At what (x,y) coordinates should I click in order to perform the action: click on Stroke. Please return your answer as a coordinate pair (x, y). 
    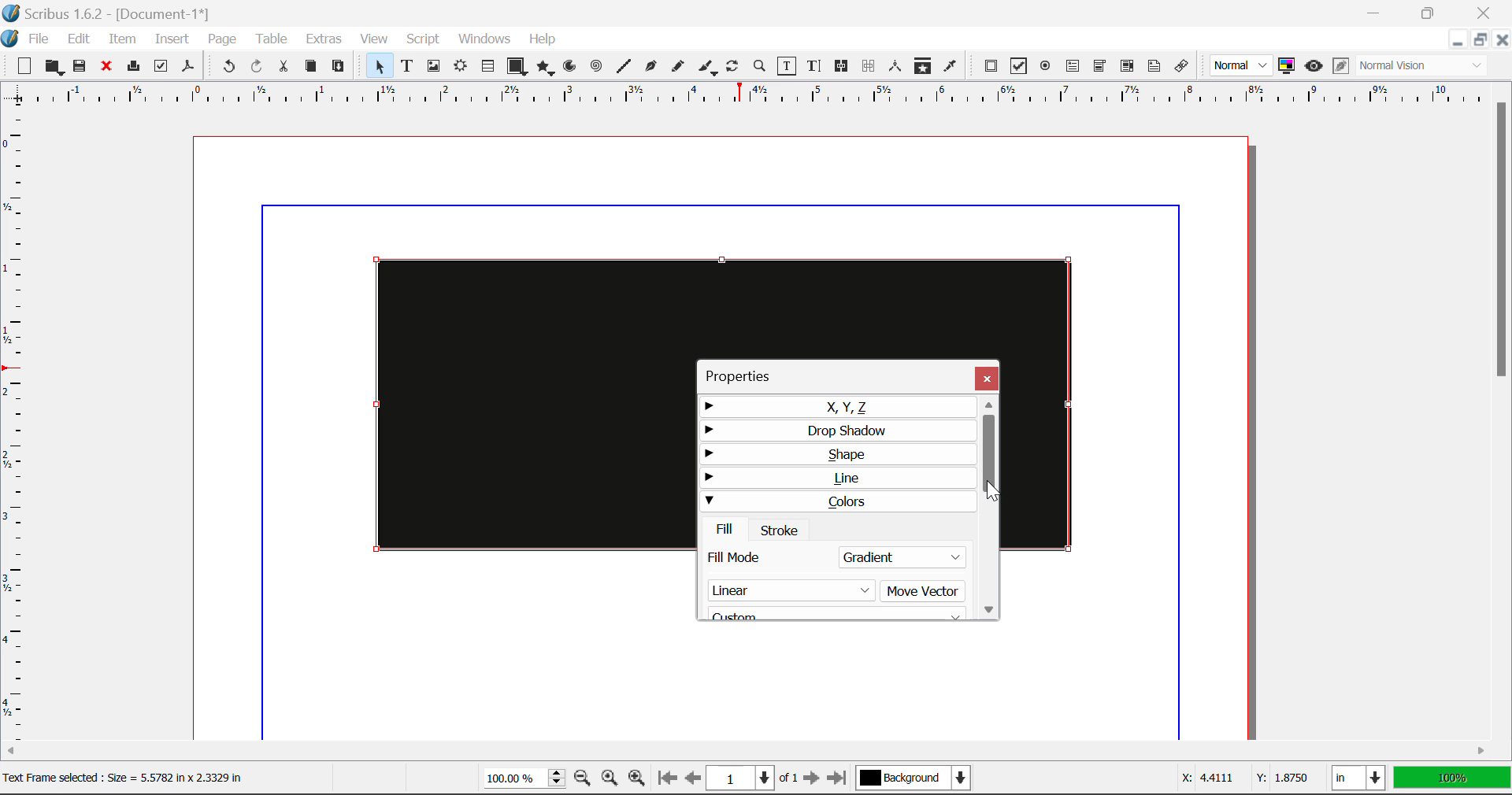
    Looking at the image, I should click on (780, 529).